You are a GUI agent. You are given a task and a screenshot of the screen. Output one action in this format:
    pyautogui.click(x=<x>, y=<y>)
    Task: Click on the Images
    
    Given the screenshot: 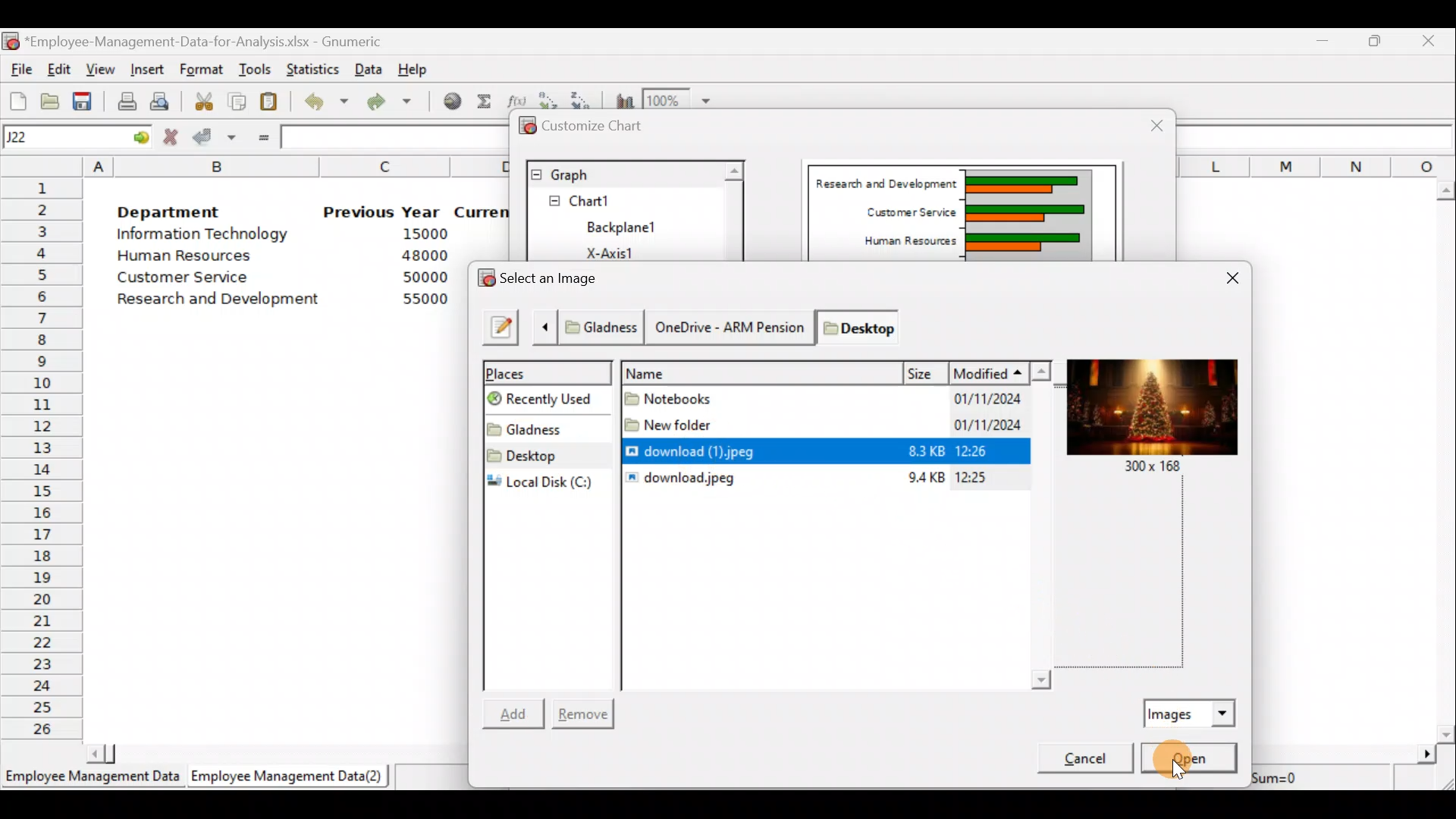 What is the action you would take?
    pyautogui.click(x=1191, y=711)
    